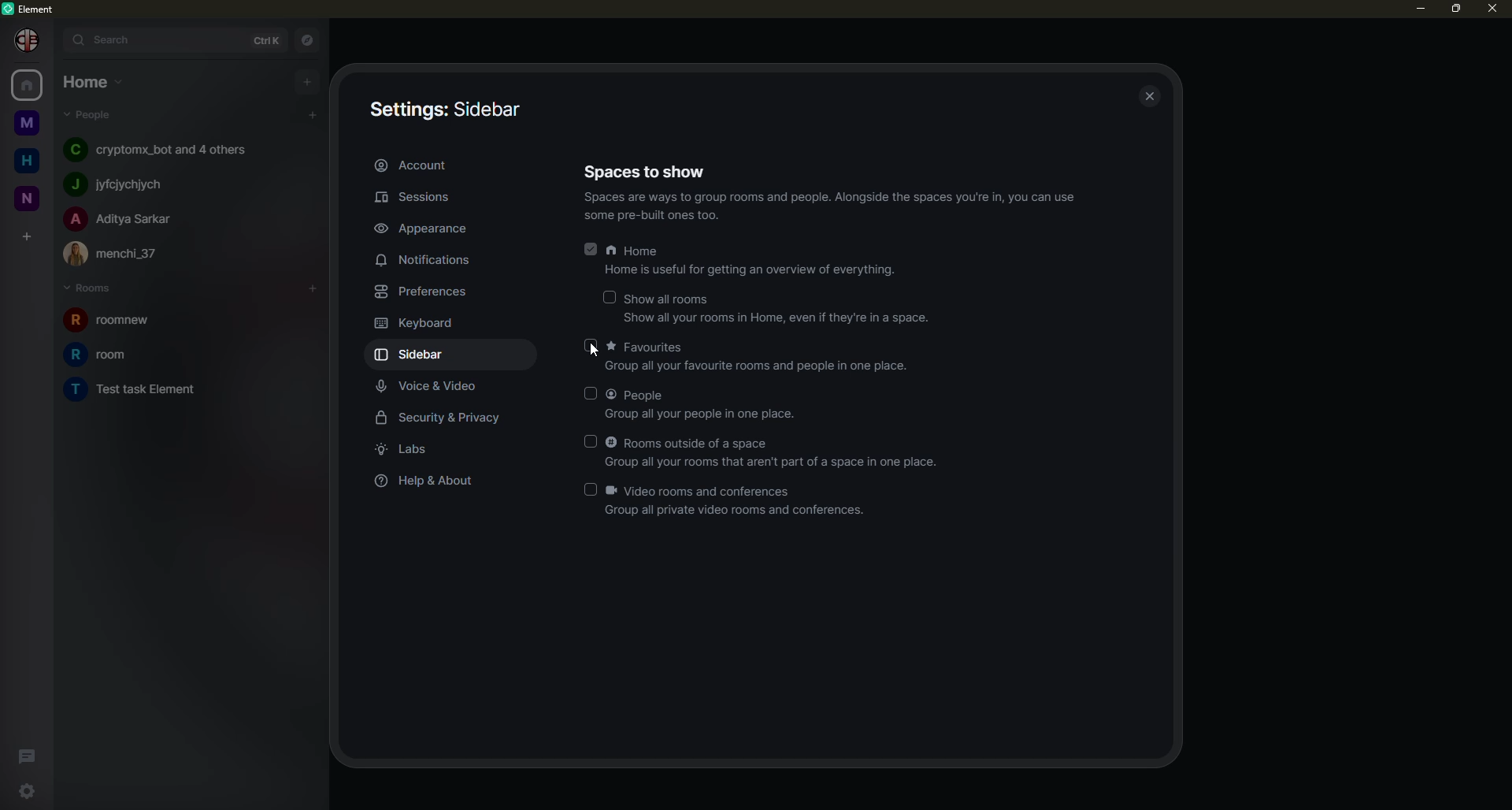 Image resolution: width=1512 pixels, height=810 pixels. I want to click on info, so click(833, 209).